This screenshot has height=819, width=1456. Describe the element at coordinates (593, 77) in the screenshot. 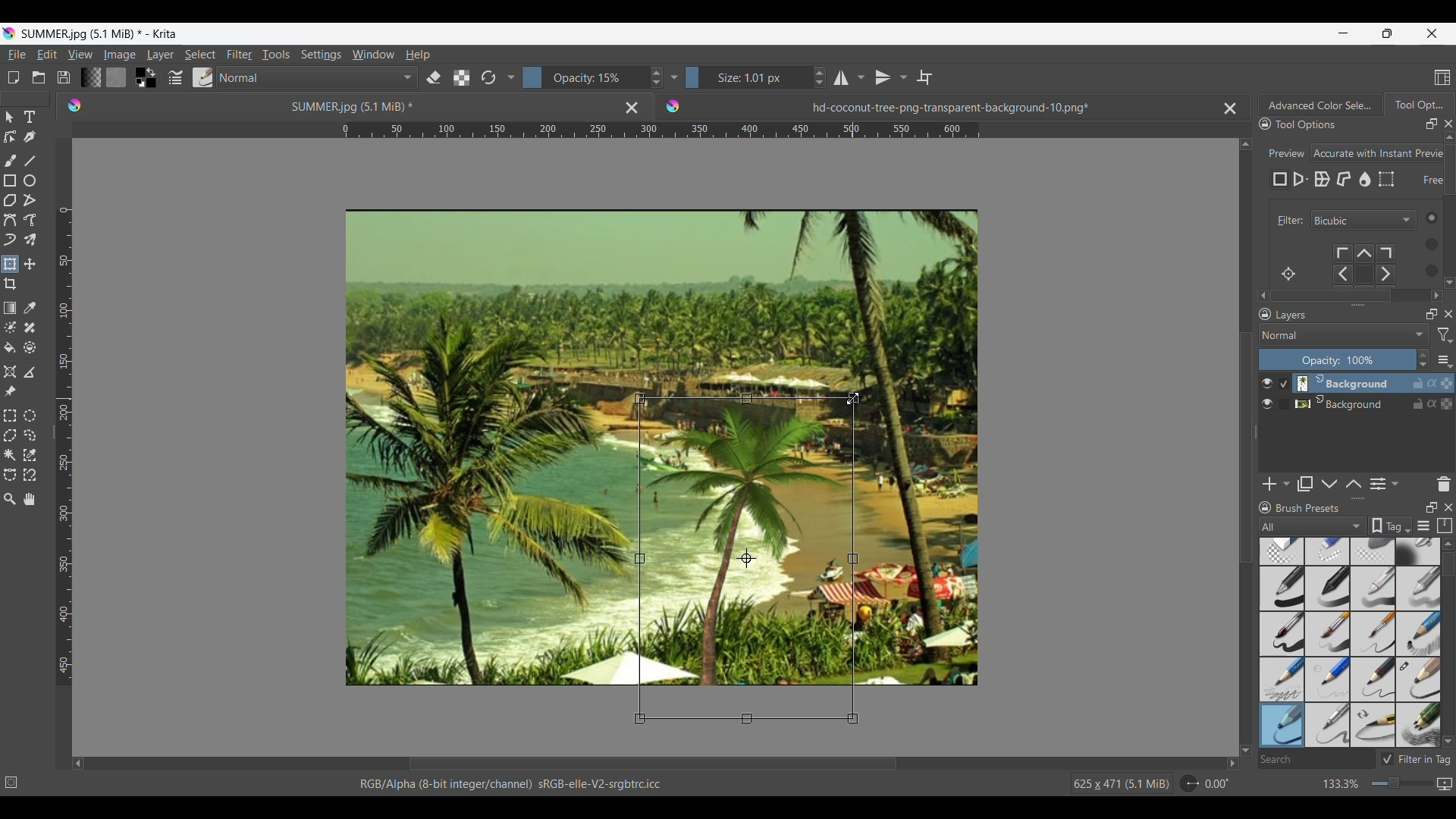

I see `Increase/Decrease opacity` at that location.